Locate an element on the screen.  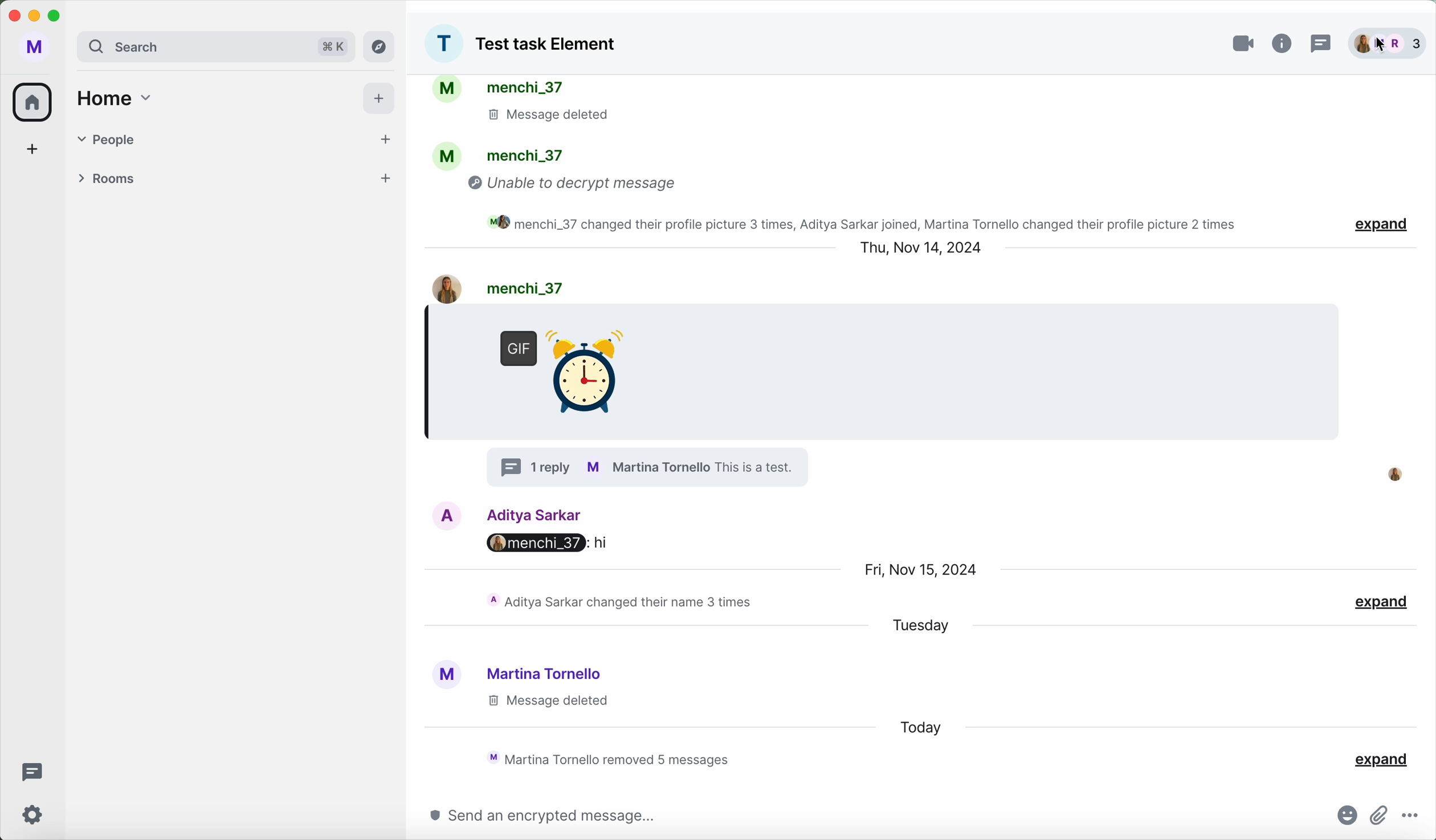
add is located at coordinates (378, 99).